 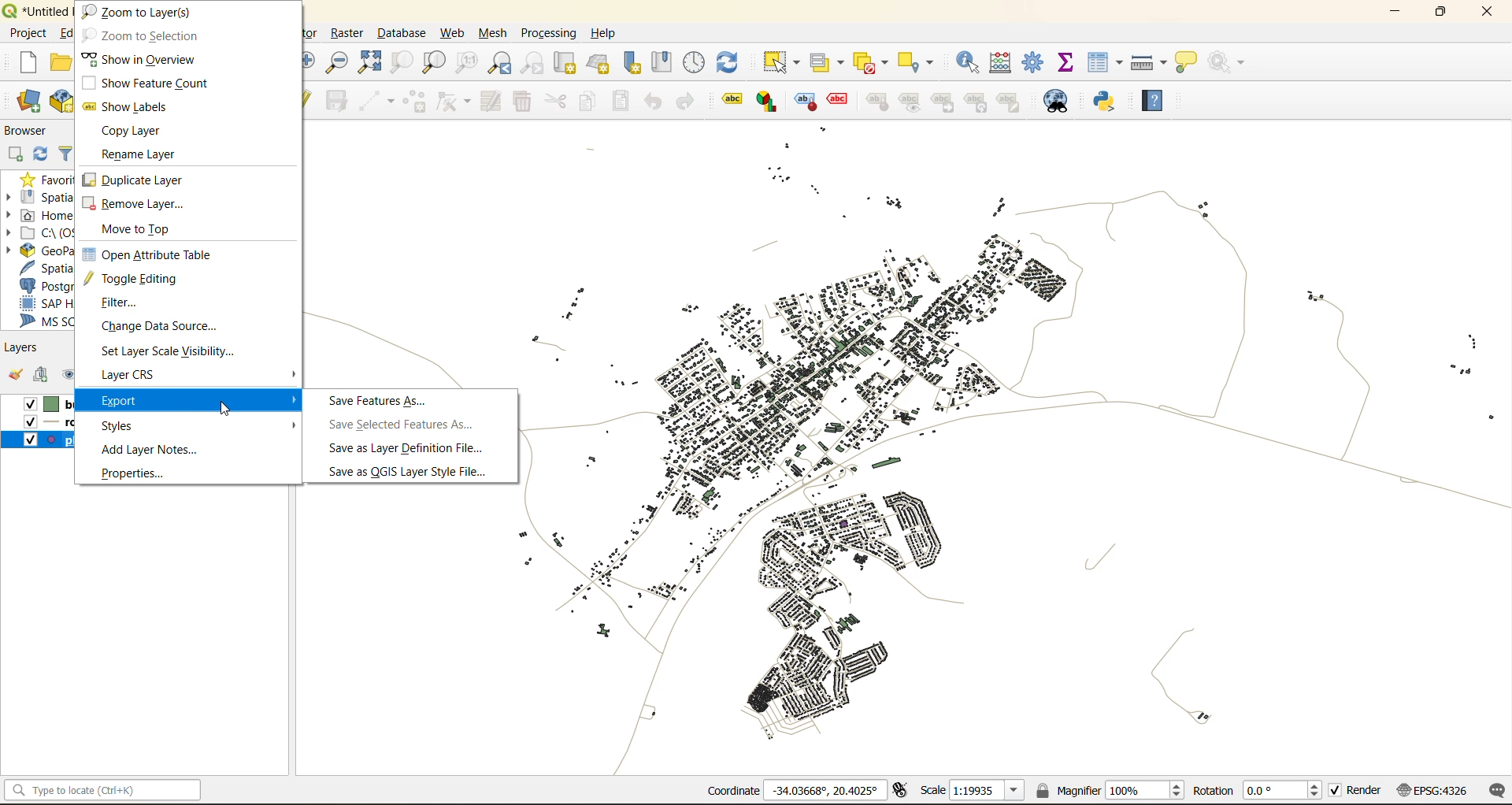 What do you see at coordinates (339, 99) in the screenshot?
I see `save edits` at bounding box center [339, 99].